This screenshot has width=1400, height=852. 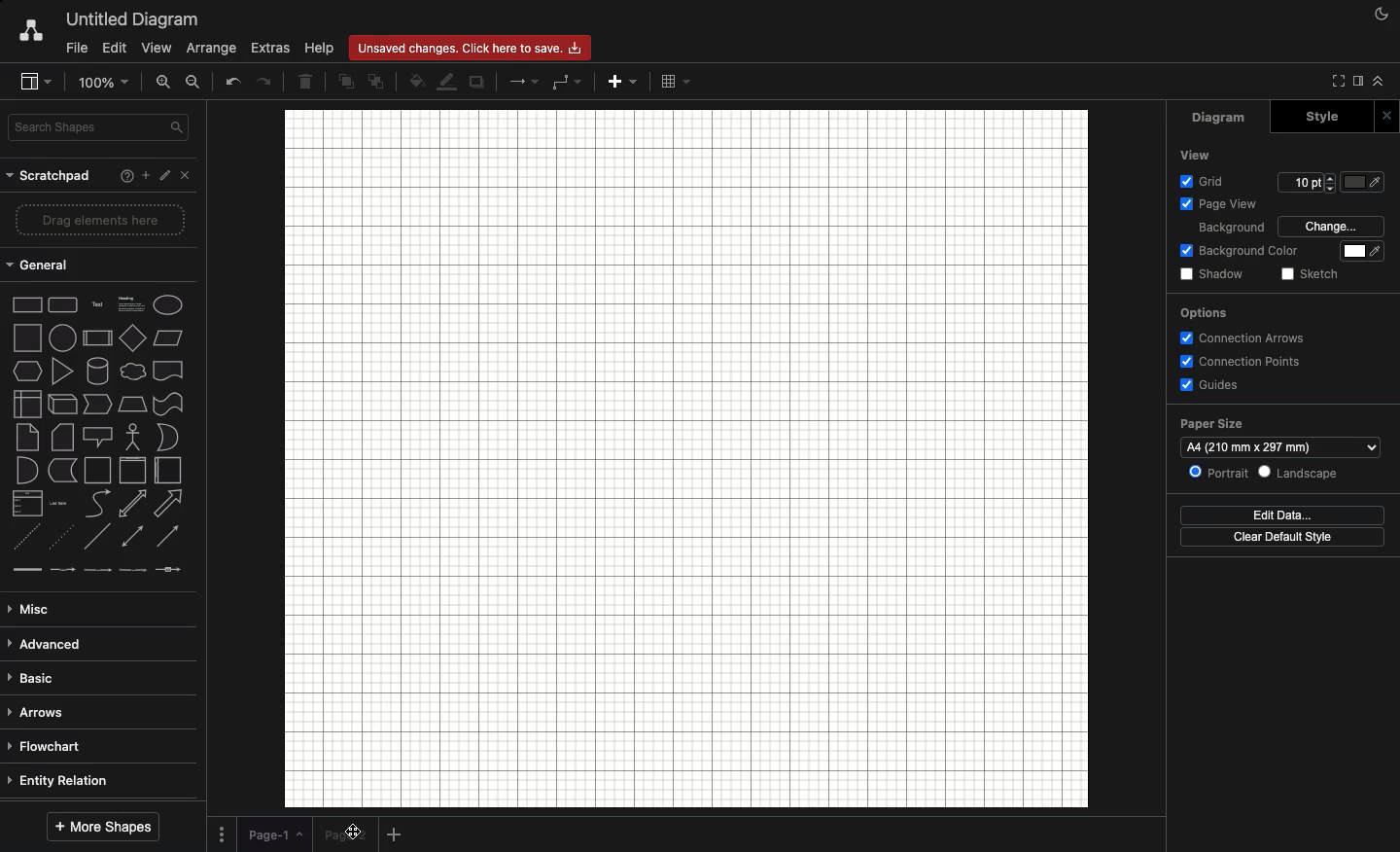 I want to click on Arrow, so click(x=522, y=81).